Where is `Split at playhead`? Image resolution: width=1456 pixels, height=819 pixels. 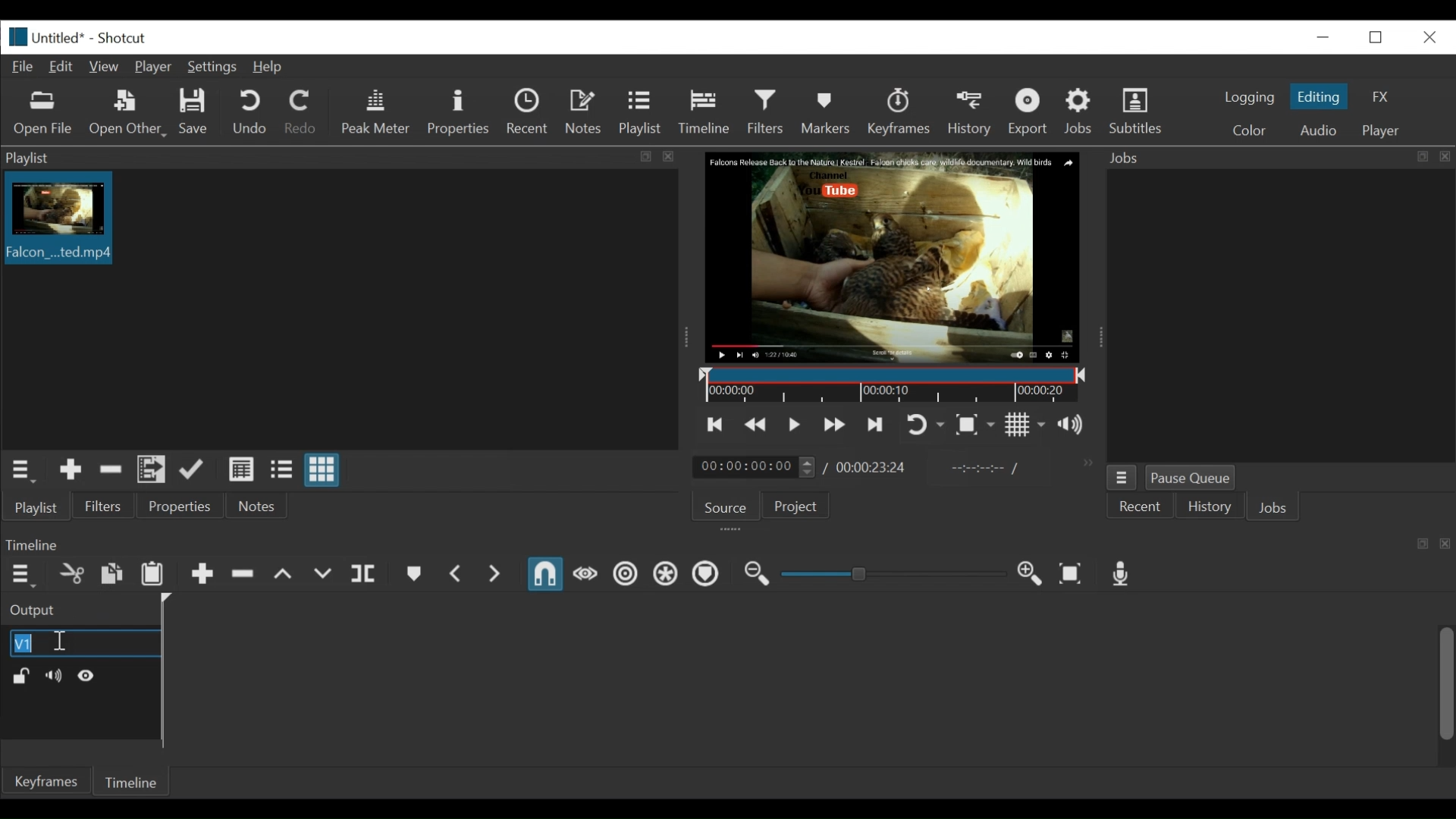 Split at playhead is located at coordinates (362, 574).